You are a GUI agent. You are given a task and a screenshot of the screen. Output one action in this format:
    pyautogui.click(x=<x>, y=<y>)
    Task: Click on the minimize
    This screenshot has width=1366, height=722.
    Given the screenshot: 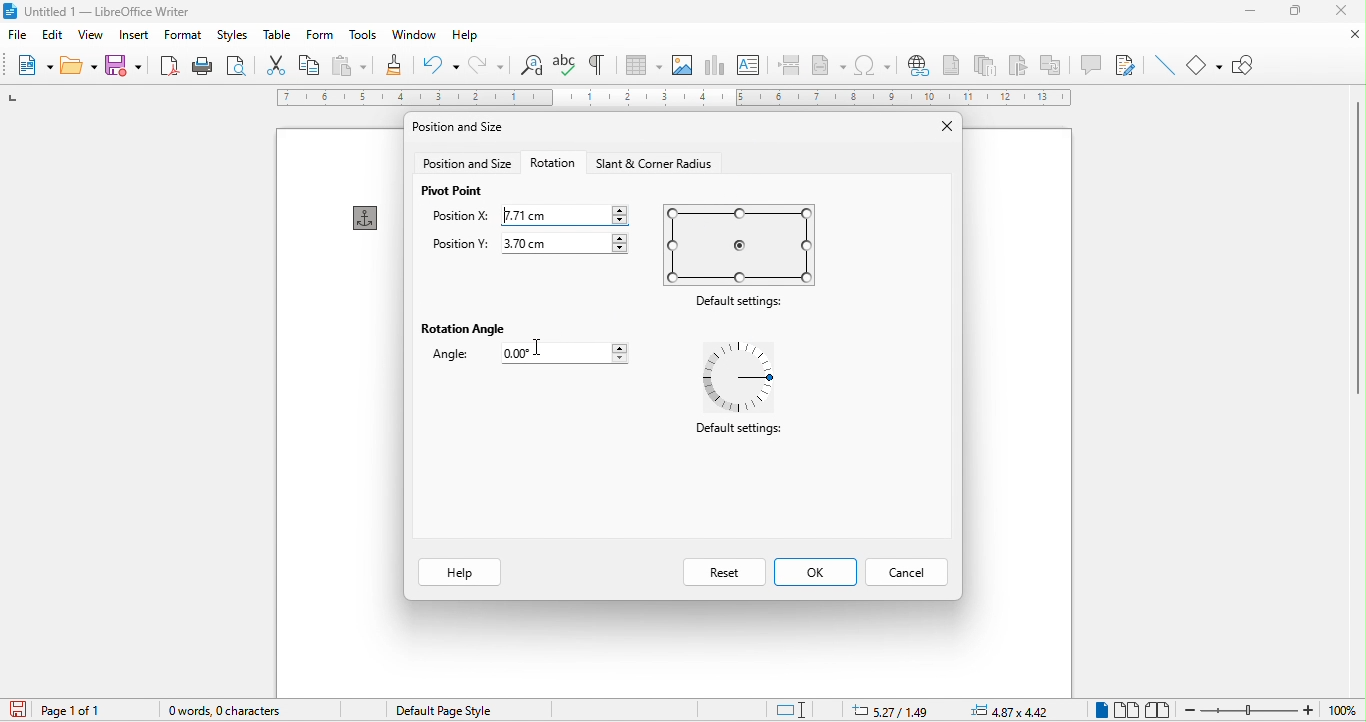 What is the action you would take?
    pyautogui.click(x=1250, y=11)
    